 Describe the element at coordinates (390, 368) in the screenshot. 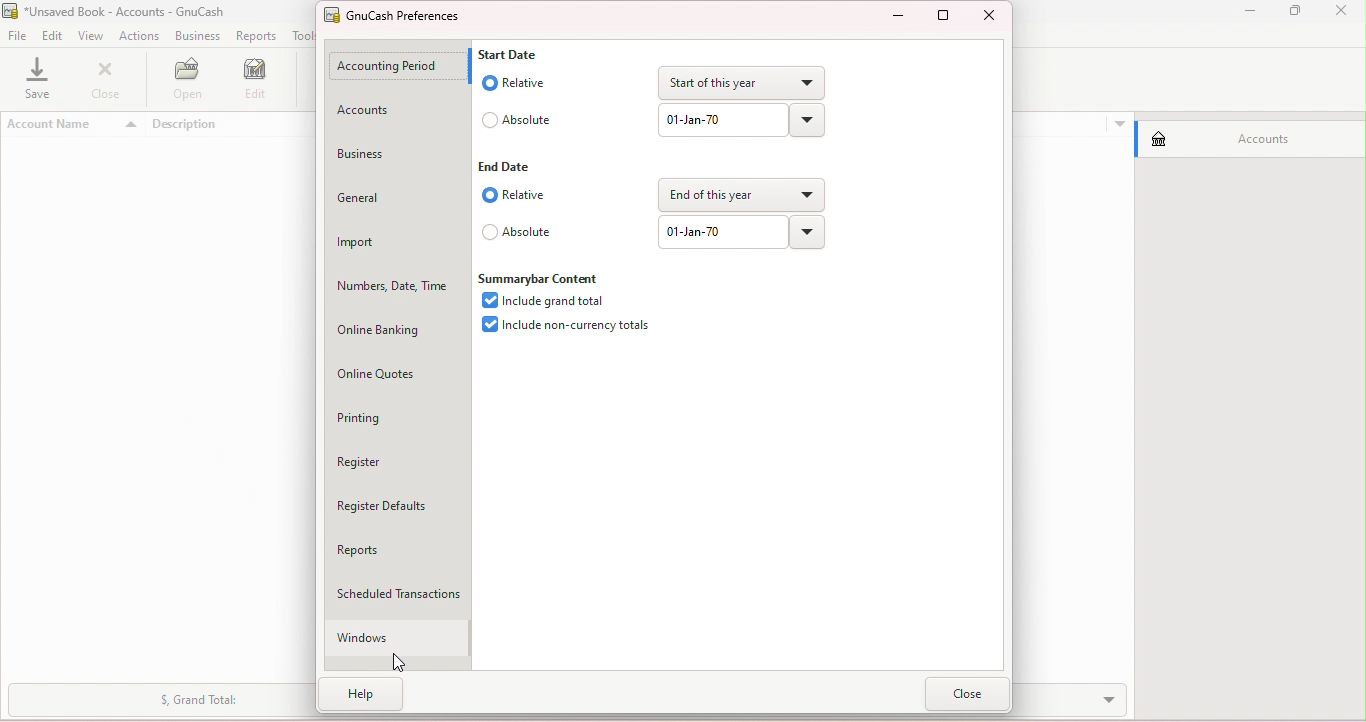

I see `Online quotes` at that location.